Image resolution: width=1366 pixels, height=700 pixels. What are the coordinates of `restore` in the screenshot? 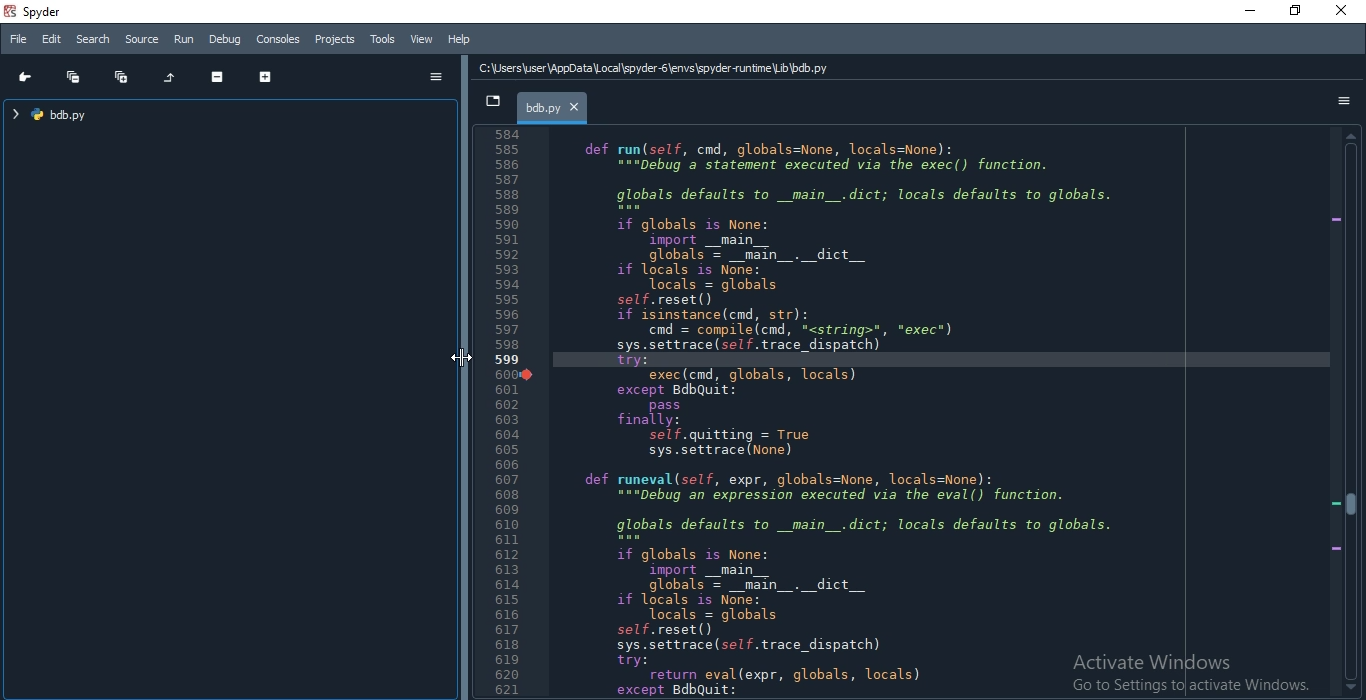 It's located at (1295, 12).